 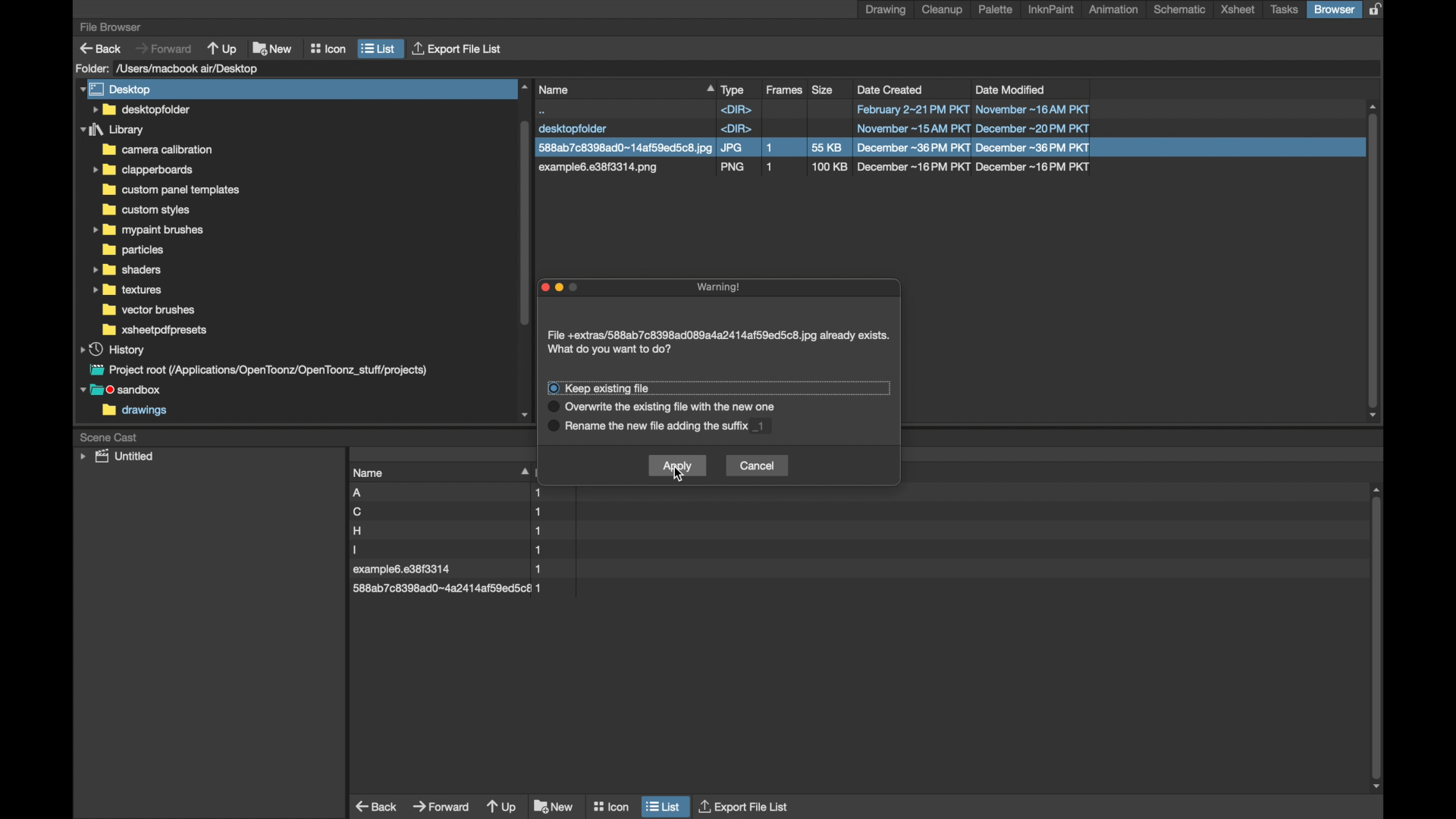 I want to click on maximize minimize and close, so click(x=563, y=289).